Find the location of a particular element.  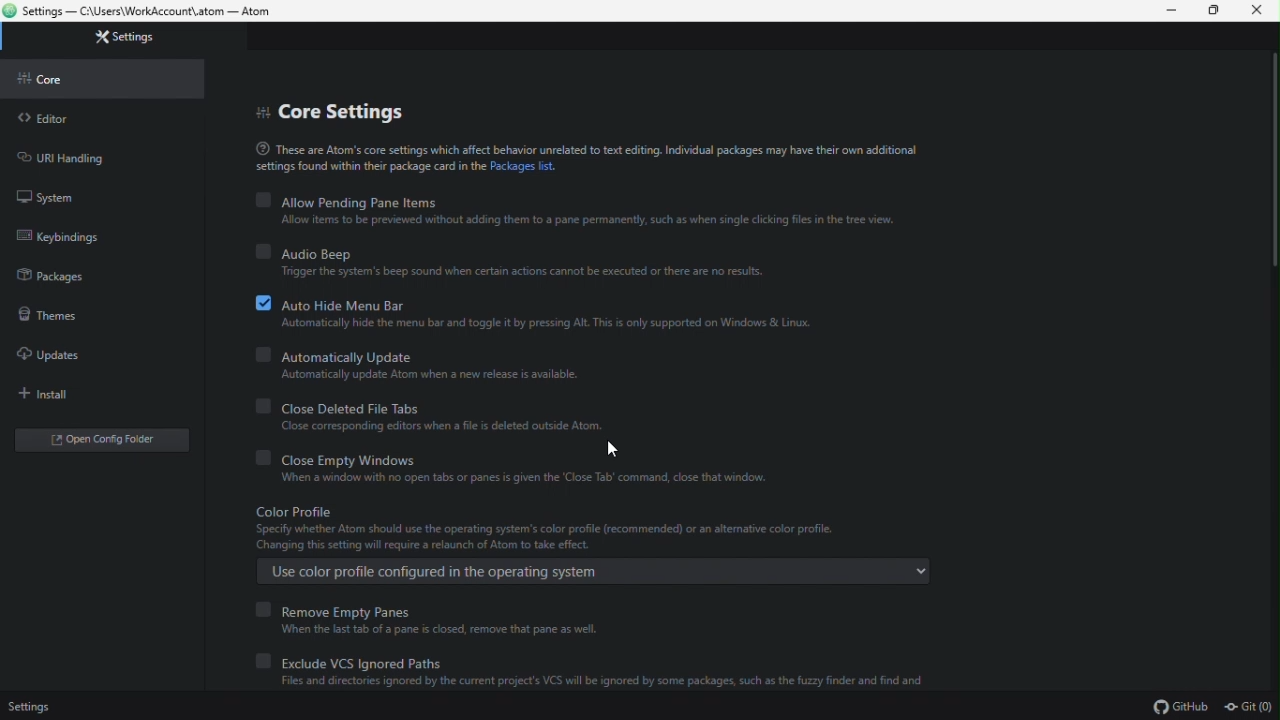

minimize is located at coordinates (1169, 11).